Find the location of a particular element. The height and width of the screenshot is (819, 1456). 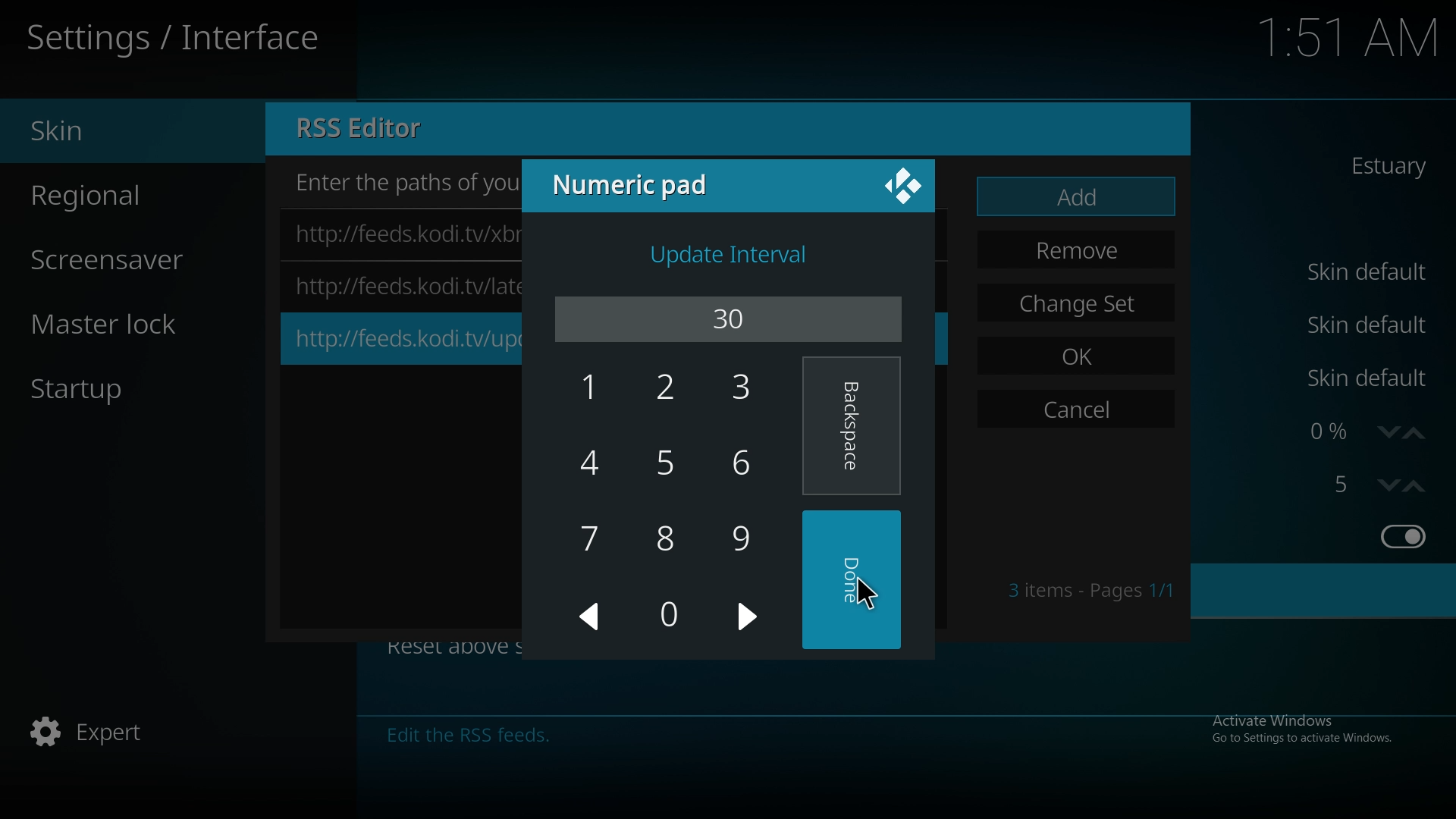

3 is located at coordinates (734, 391).